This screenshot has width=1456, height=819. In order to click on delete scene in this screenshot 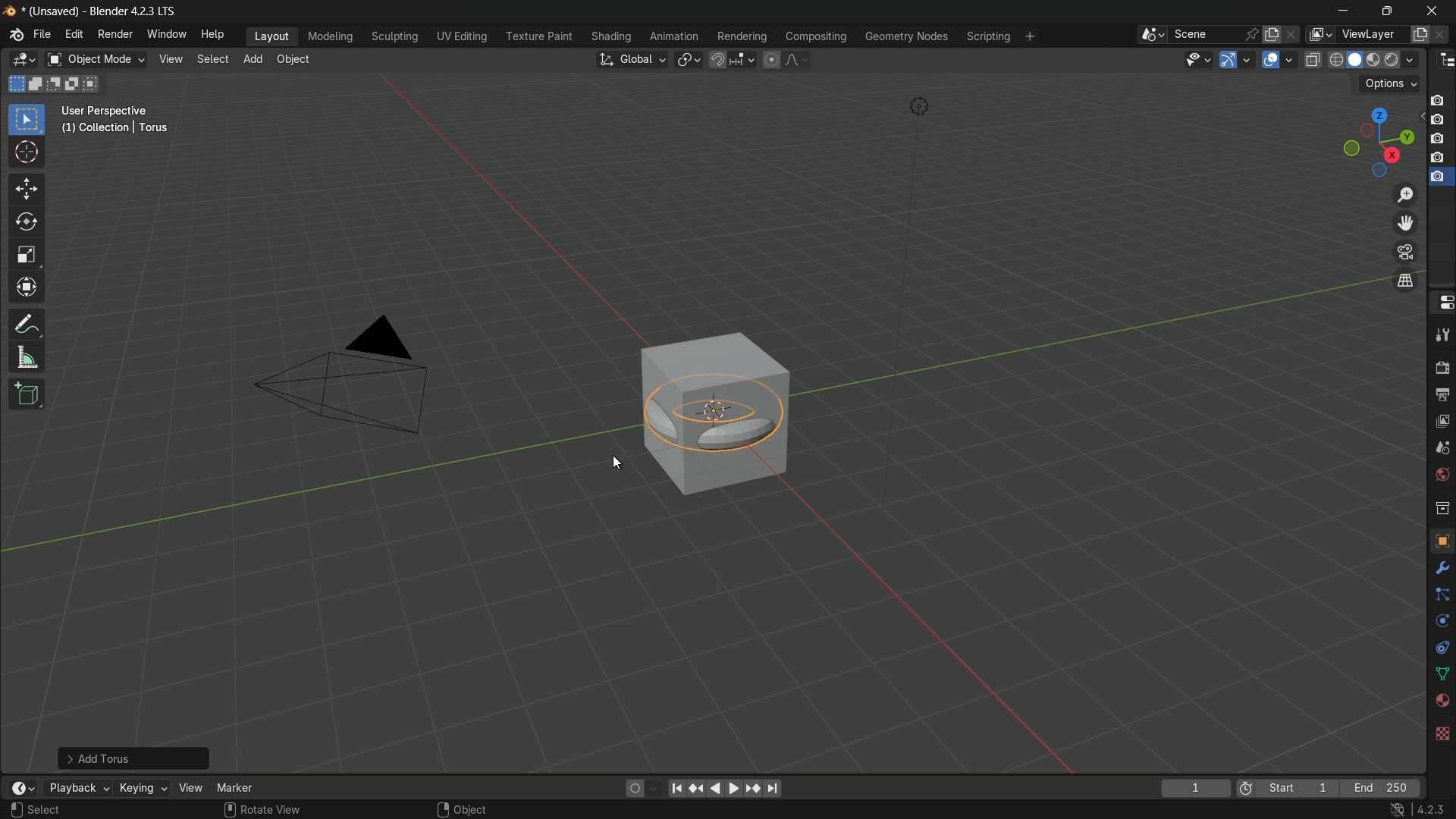, I will do `click(1293, 34)`.